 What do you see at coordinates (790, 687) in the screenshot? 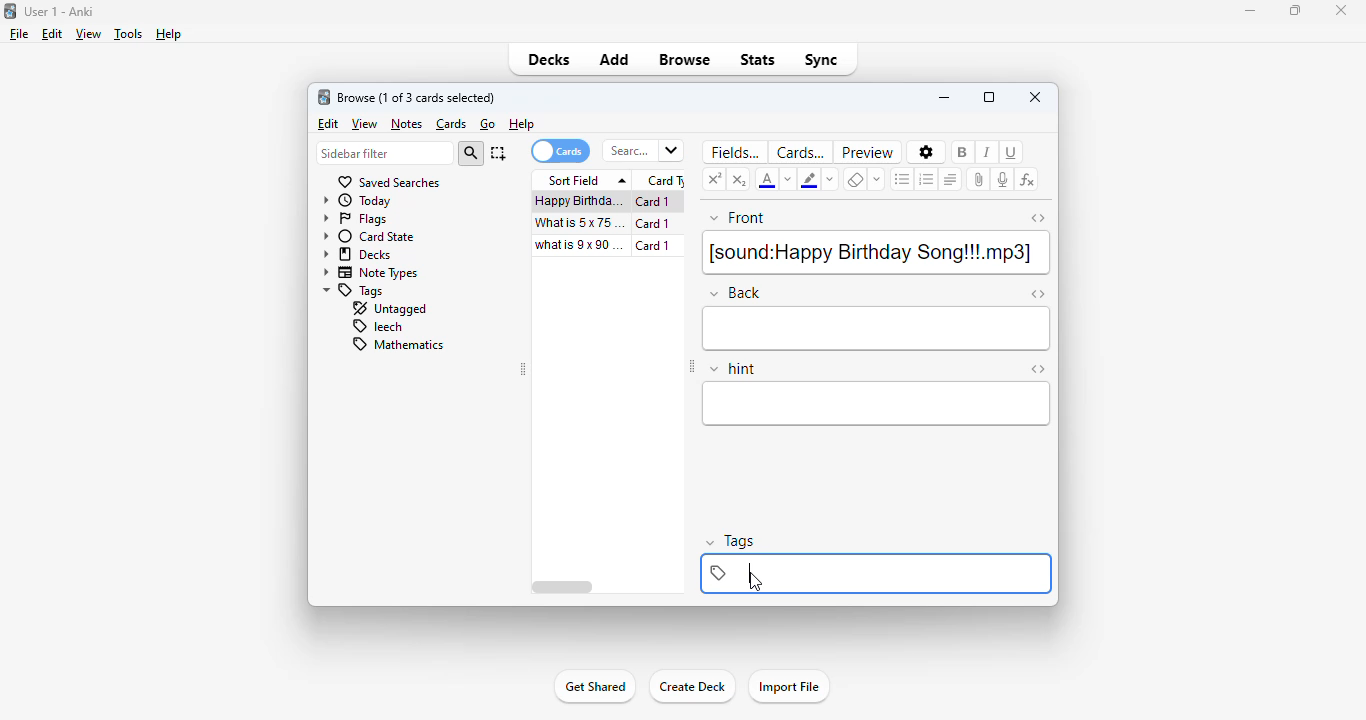
I see `import file` at bounding box center [790, 687].